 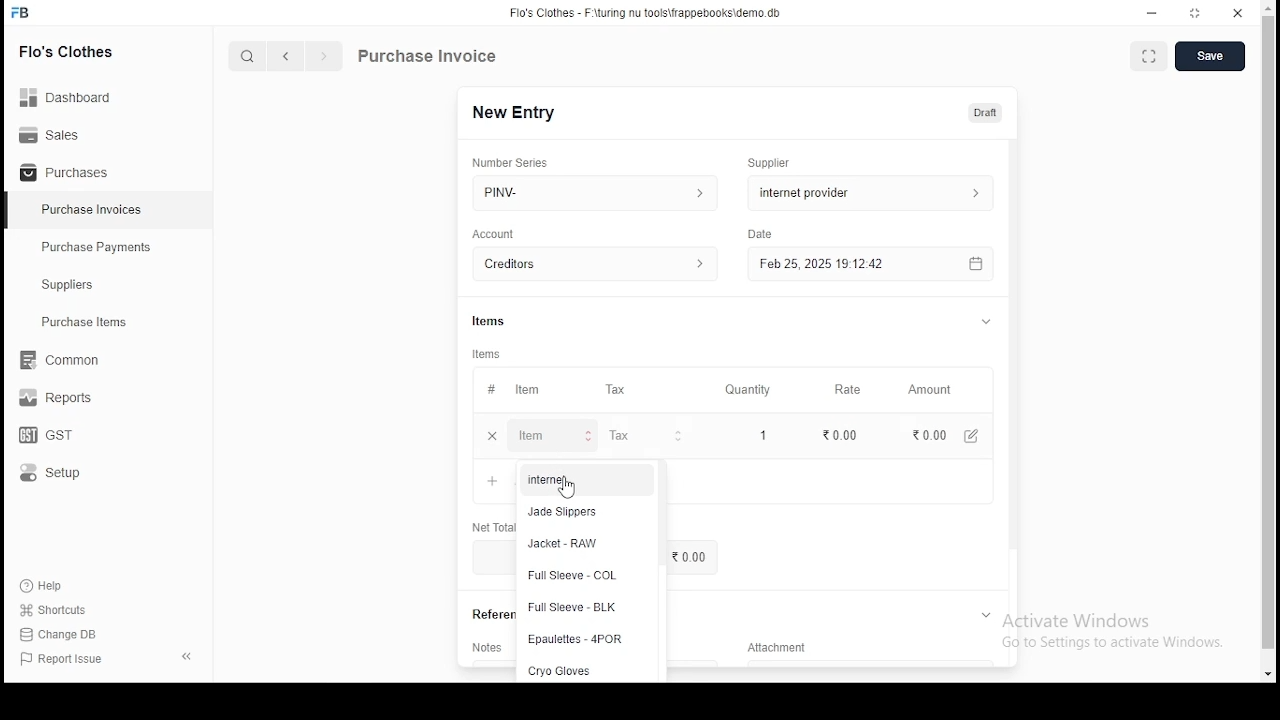 What do you see at coordinates (58, 400) in the screenshot?
I see `reports` at bounding box center [58, 400].